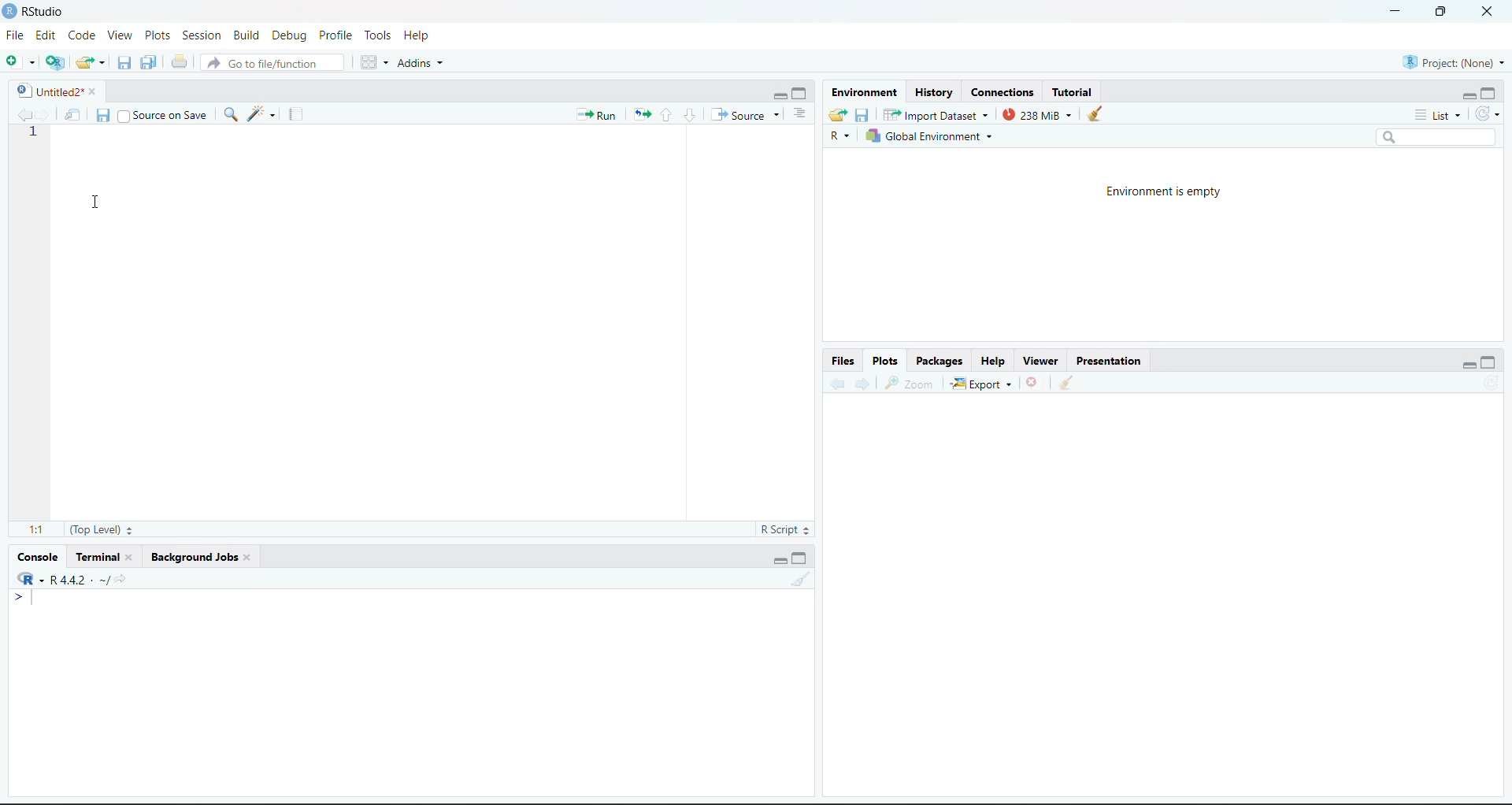 The image size is (1512, 805). What do you see at coordinates (73, 114) in the screenshot?
I see `open in new window` at bounding box center [73, 114].